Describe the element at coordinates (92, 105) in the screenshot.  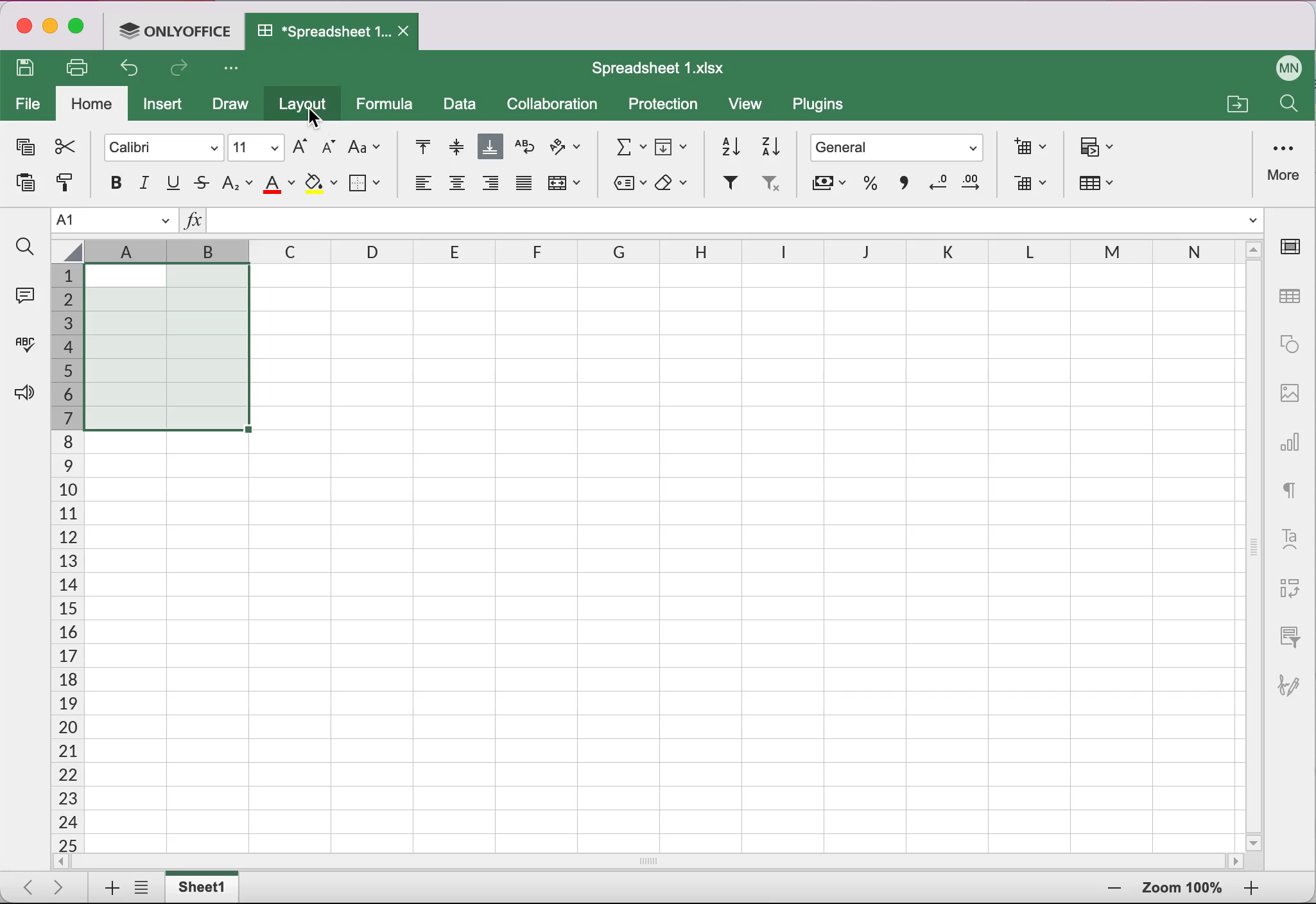
I see `home` at that location.